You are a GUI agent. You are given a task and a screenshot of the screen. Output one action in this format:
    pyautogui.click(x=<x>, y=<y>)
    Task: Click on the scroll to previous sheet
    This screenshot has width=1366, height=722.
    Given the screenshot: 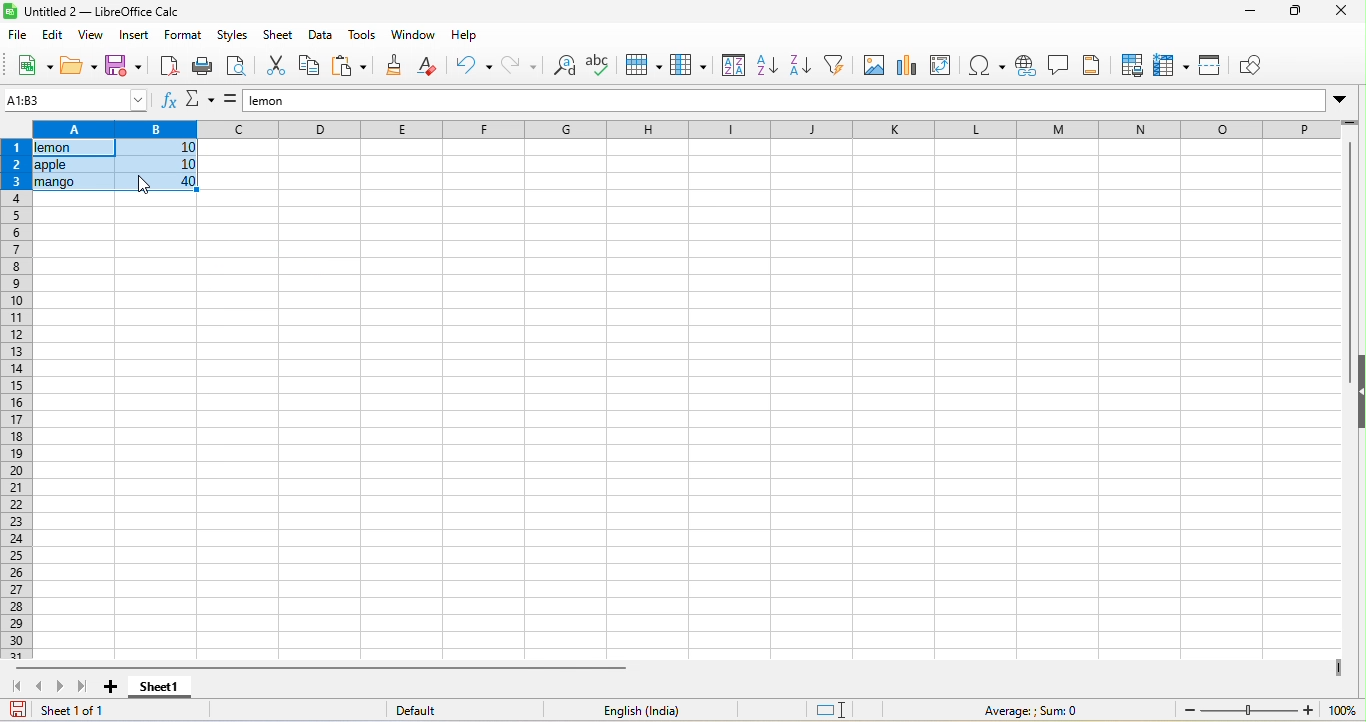 What is the action you would take?
    pyautogui.click(x=42, y=688)
    